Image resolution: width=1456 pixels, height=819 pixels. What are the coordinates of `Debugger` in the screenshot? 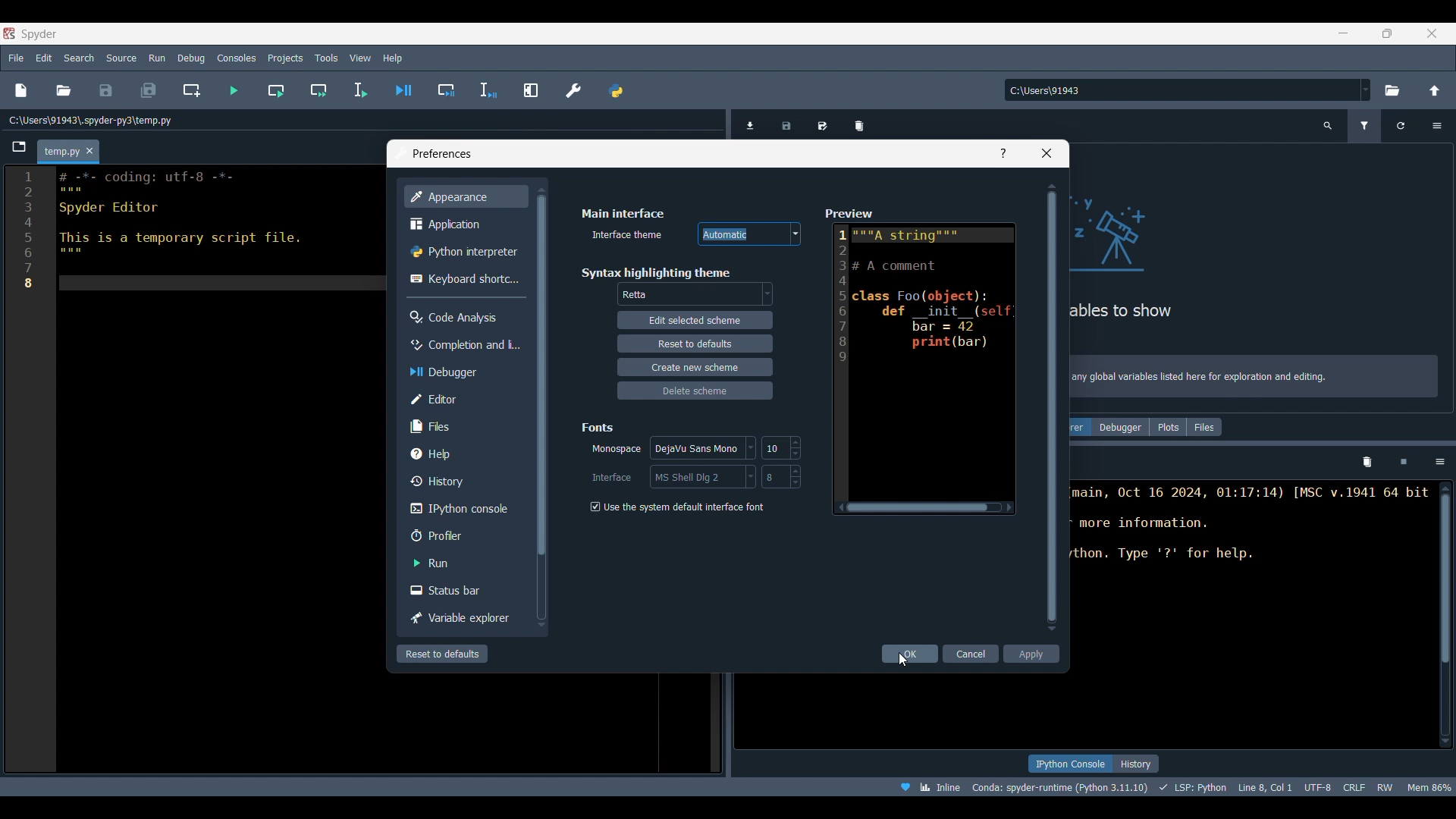 It's located at (1120, 427).